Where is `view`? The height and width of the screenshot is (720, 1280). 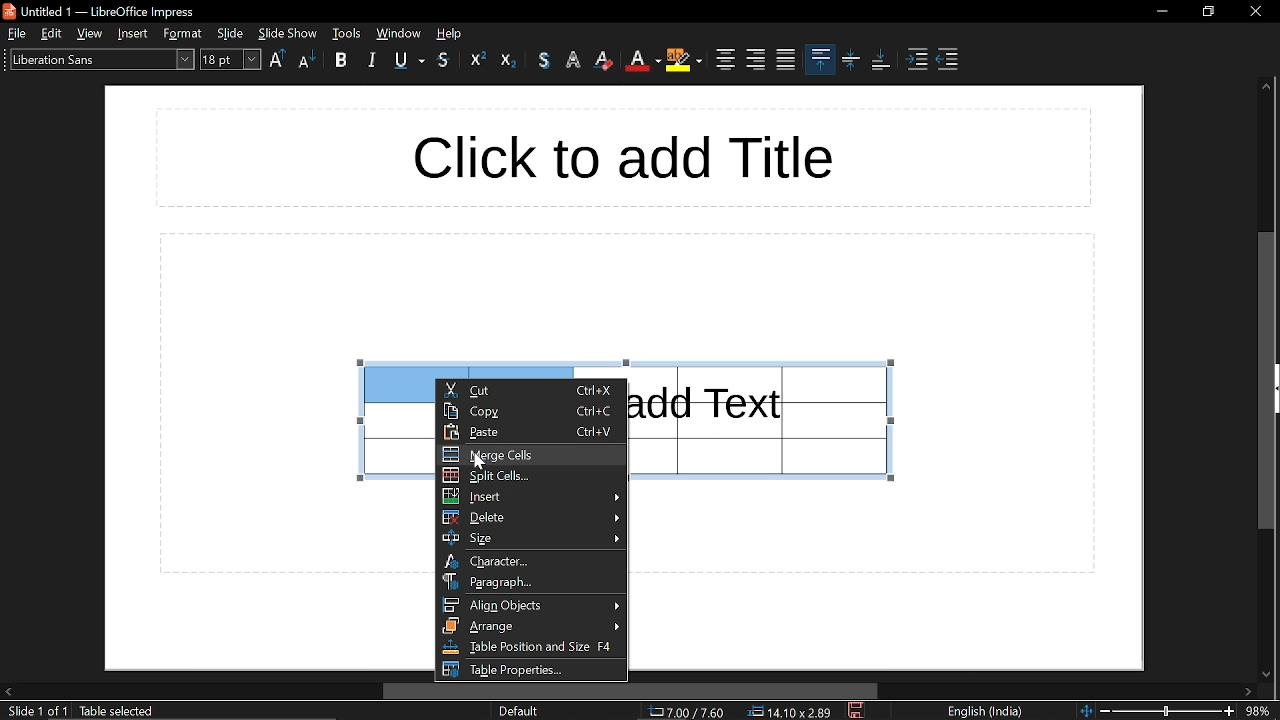 view is located at coordinates (91, 33).